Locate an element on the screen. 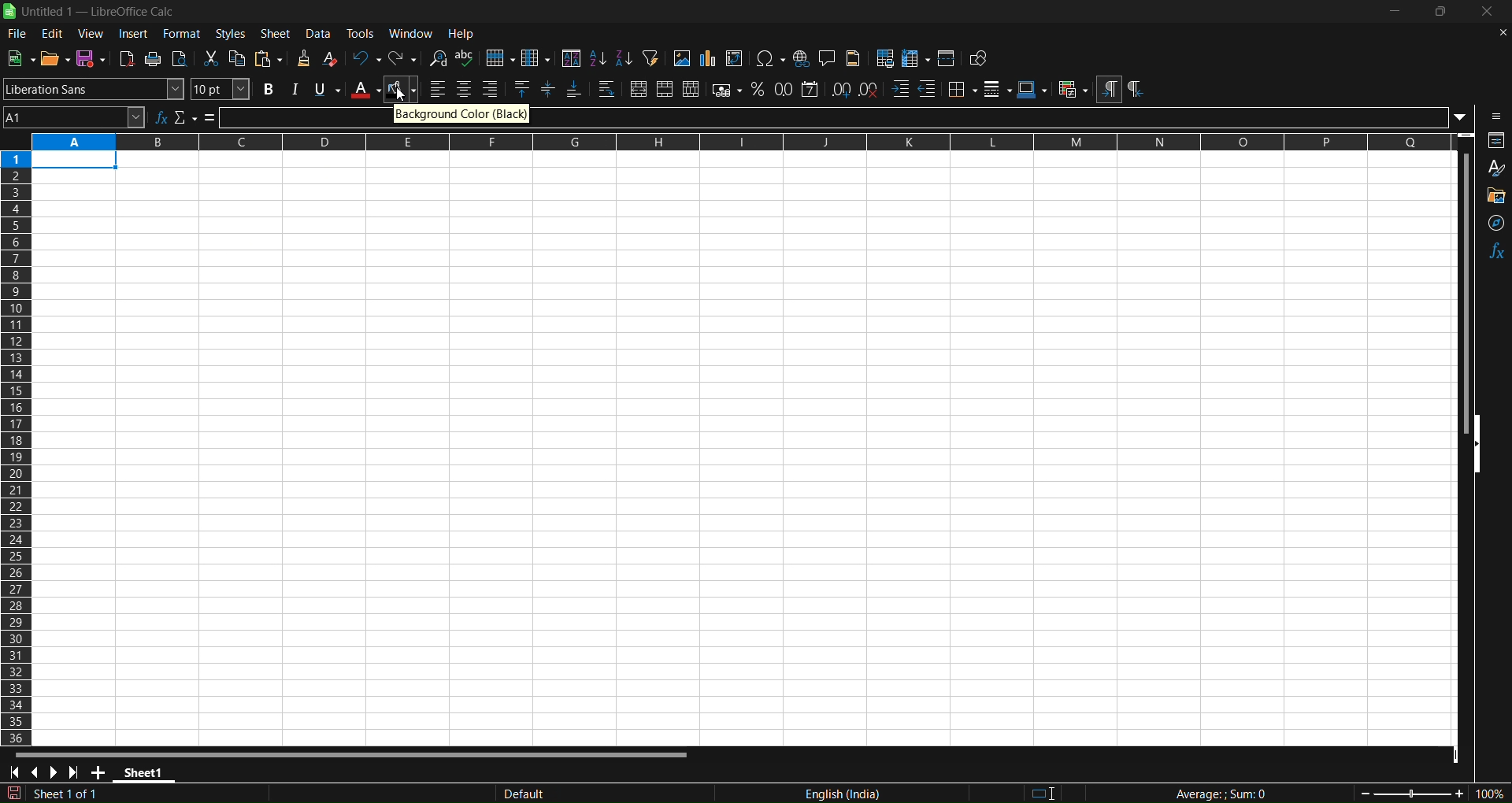 This screenshot has width=1512, height=803. align left is located at coordinates (439, 88).